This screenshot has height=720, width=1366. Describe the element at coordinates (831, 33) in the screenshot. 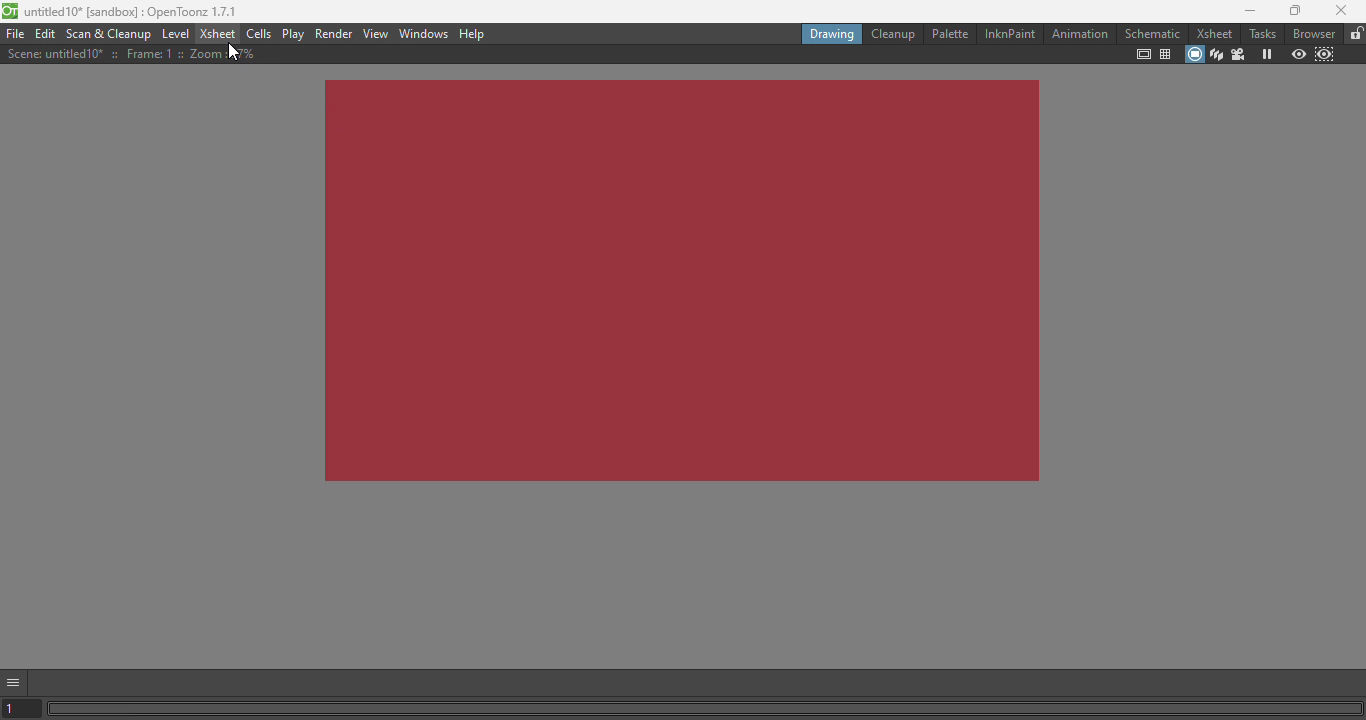

I see `Drawing` at that location.